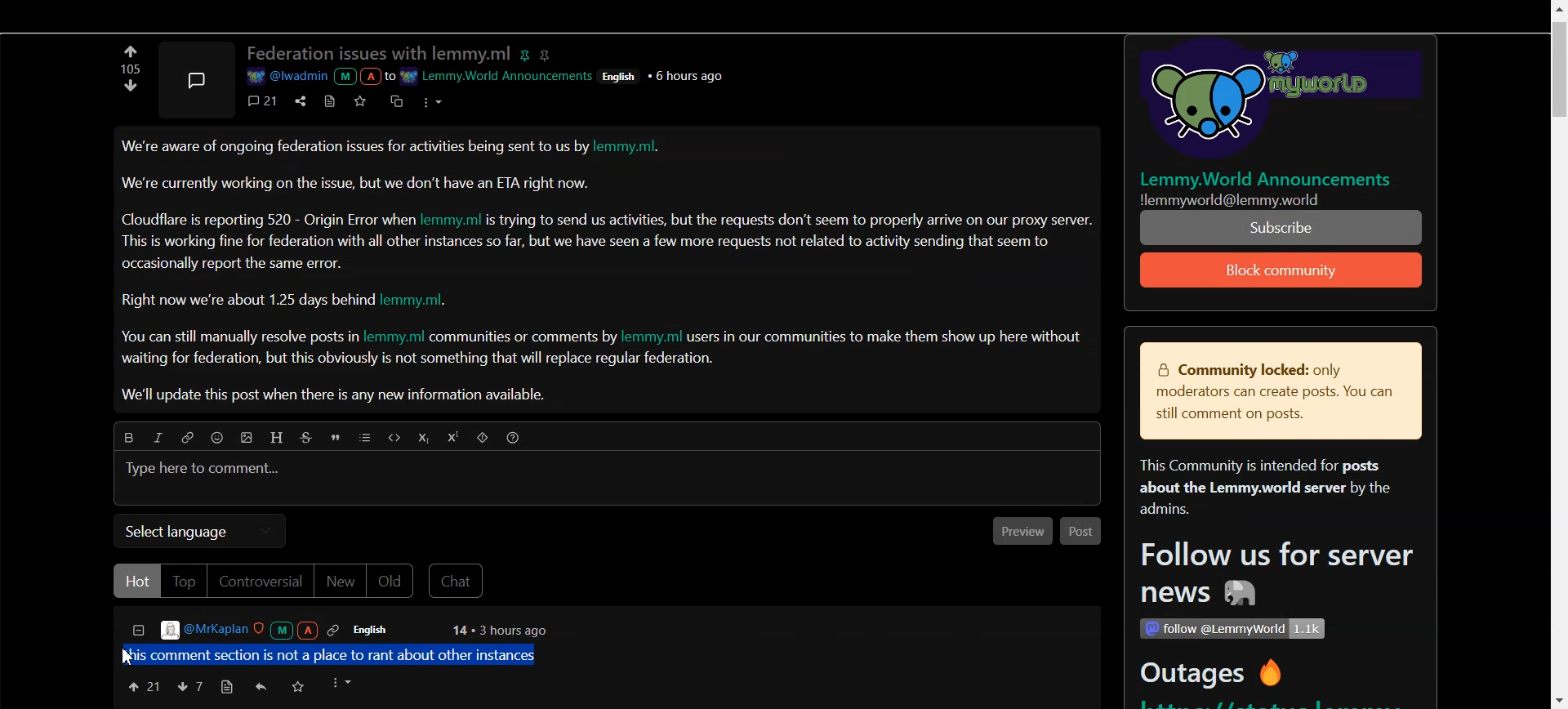 The width and height of the screenshot is (1568, 709). Describe the element at coordinates (1272, 577) in the screenshot. I see `Follow us for server
news #8` at that location.